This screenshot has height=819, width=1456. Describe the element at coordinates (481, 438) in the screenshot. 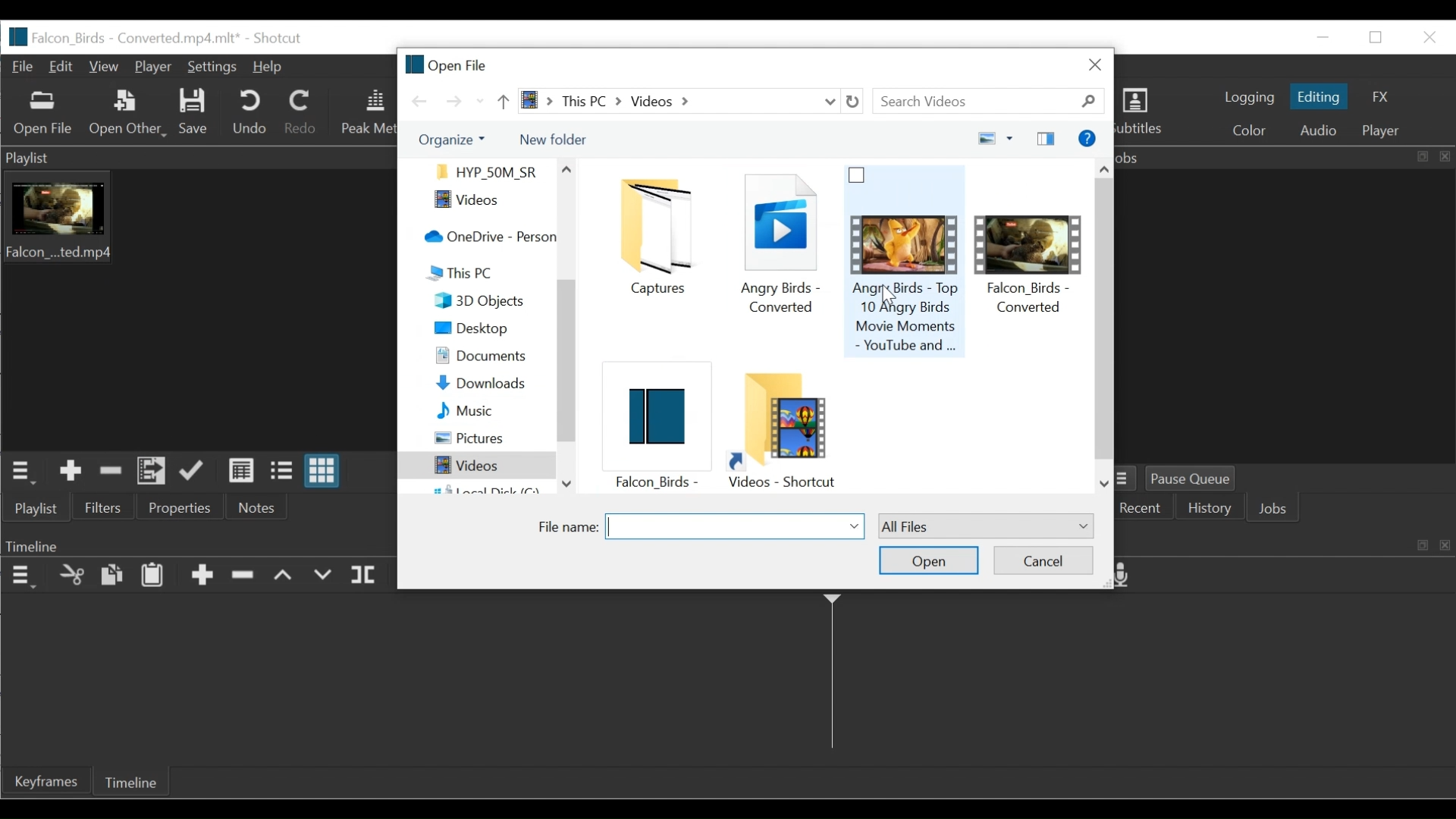

I see `Pictures` at that location.